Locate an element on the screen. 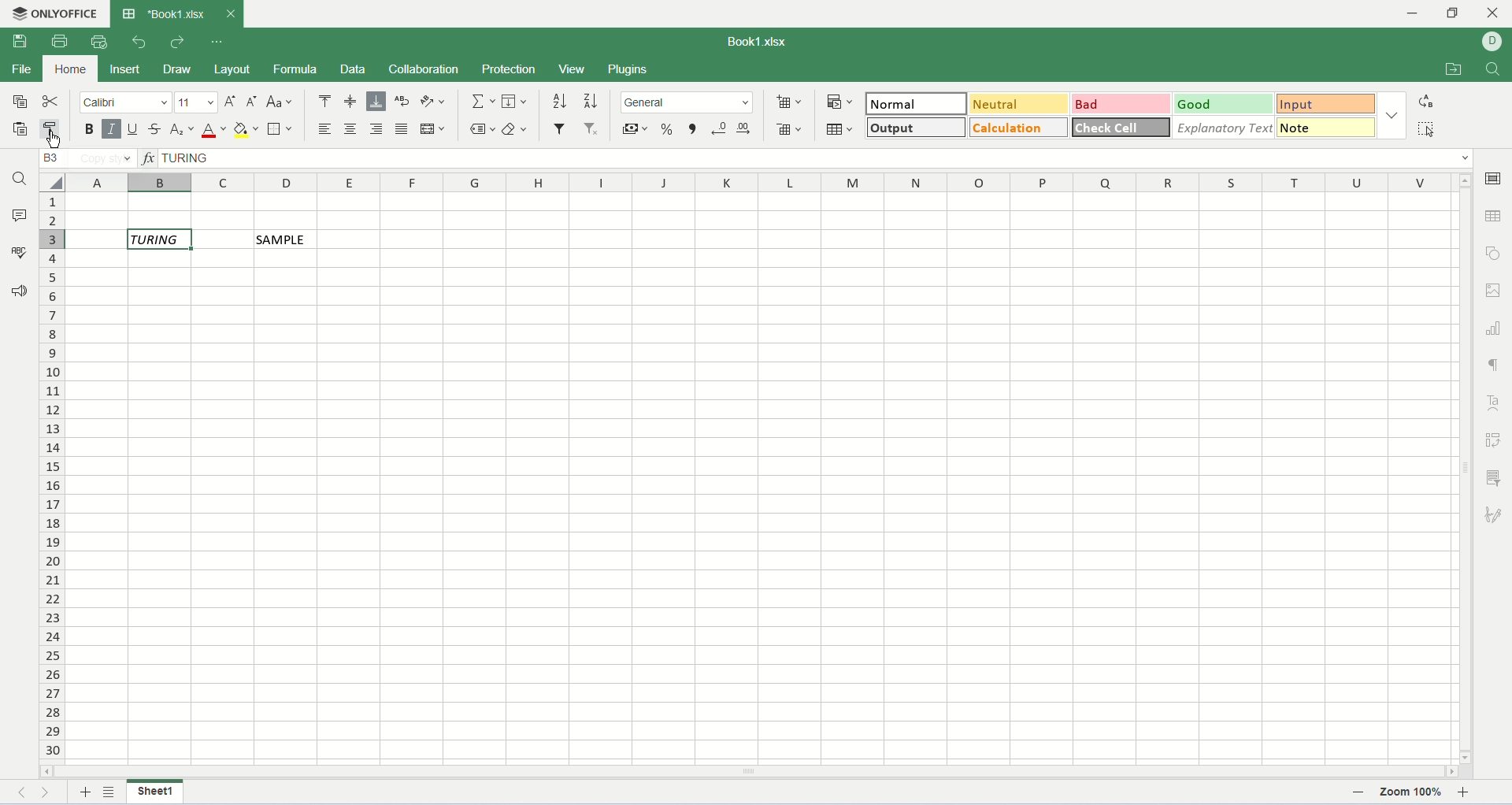 The height and width of the screenshot is (805, 1512). format options is located at coordinates (1393, 118).